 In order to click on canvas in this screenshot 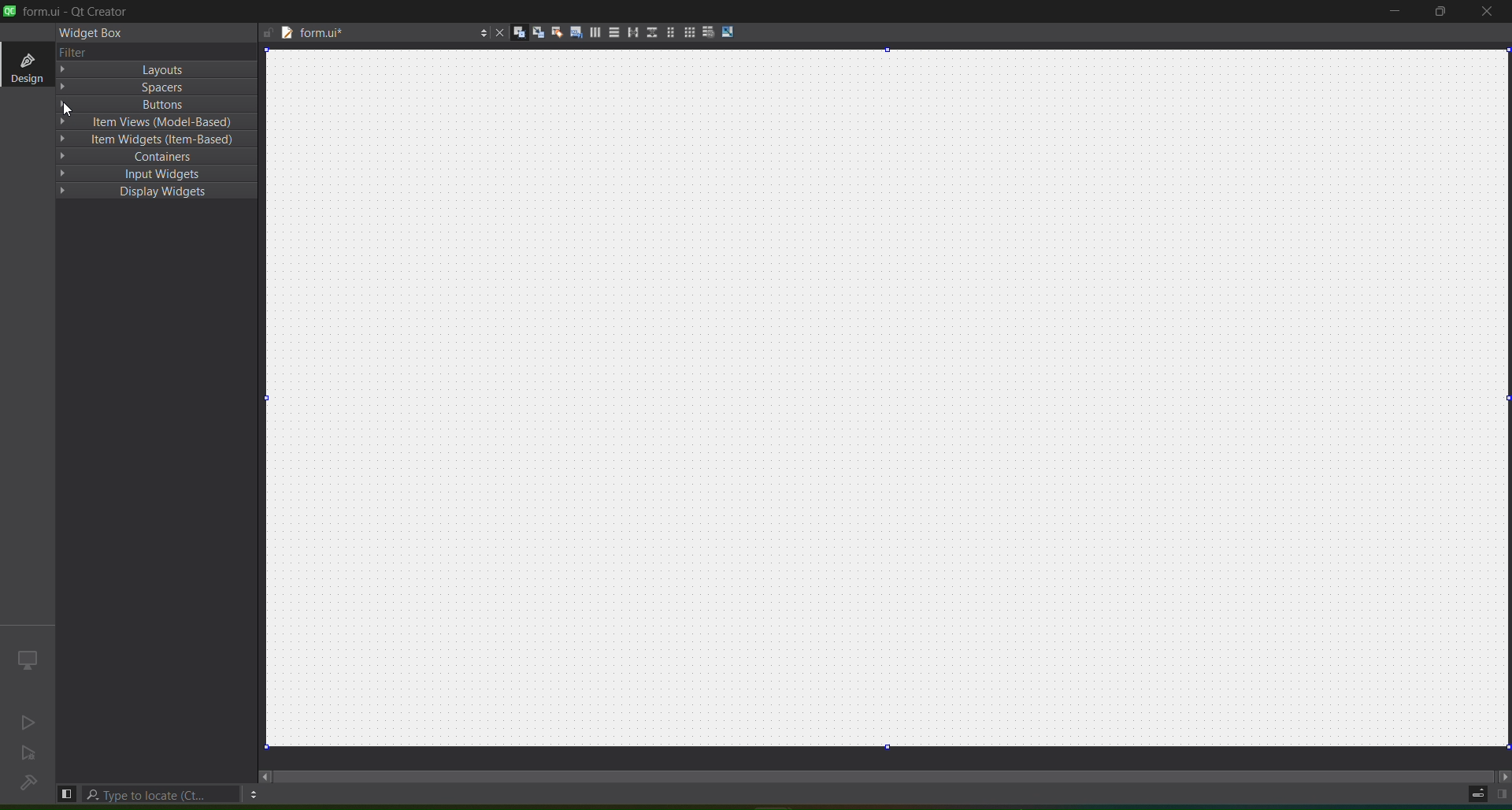, I will do `click(889, 399)`.